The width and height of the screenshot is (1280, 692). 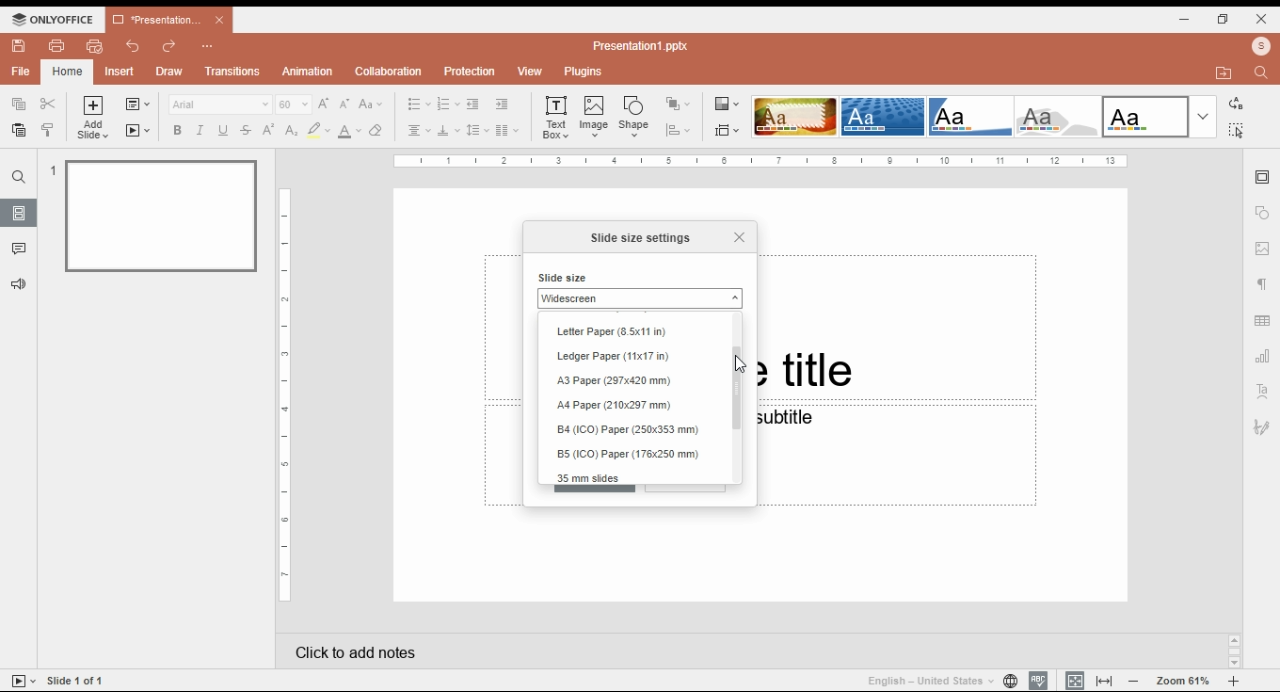 I want to click on italics, so click(x=198, y=130).